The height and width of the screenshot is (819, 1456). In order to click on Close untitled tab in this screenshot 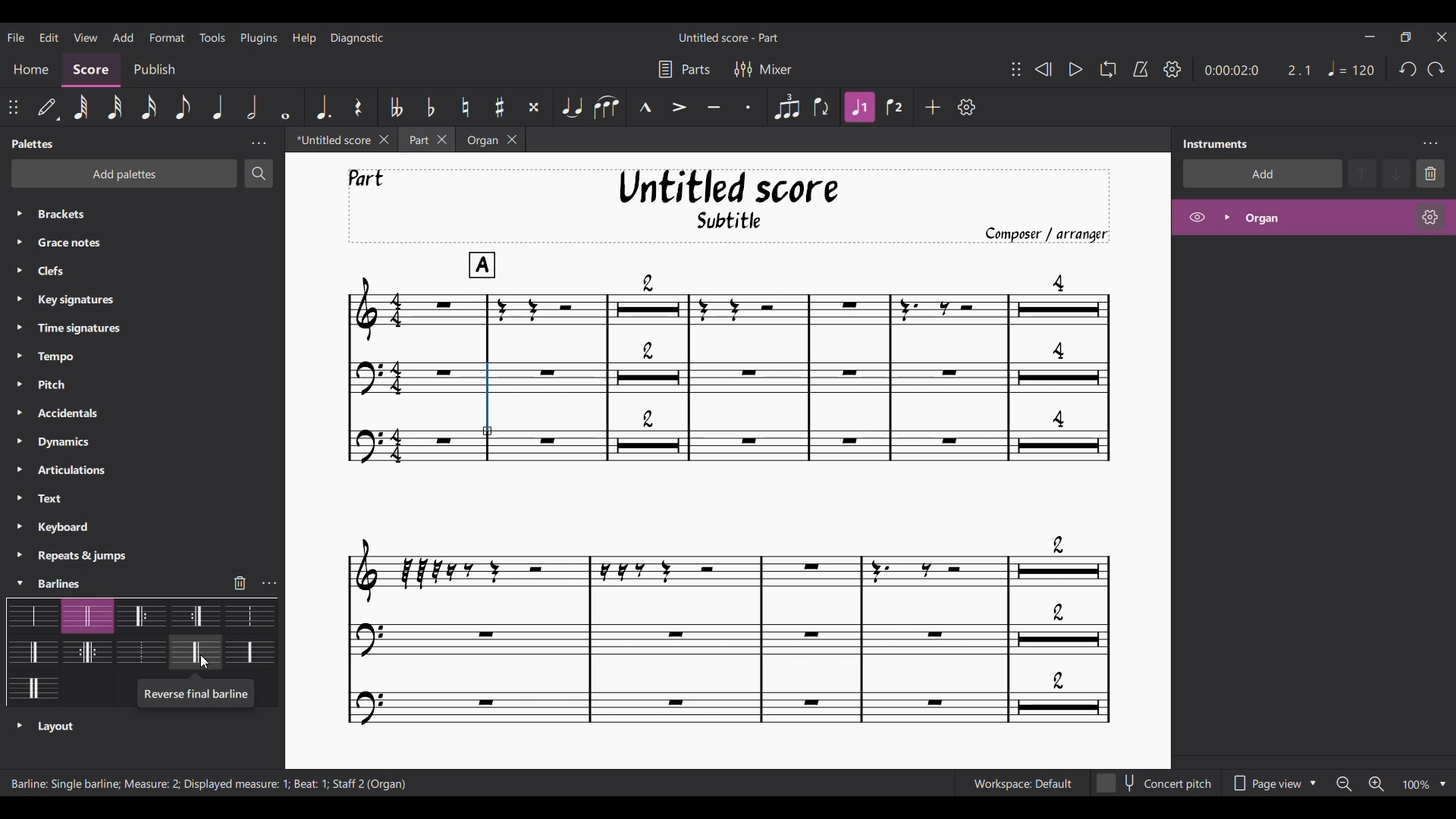, I will do `click(384, 140)`.